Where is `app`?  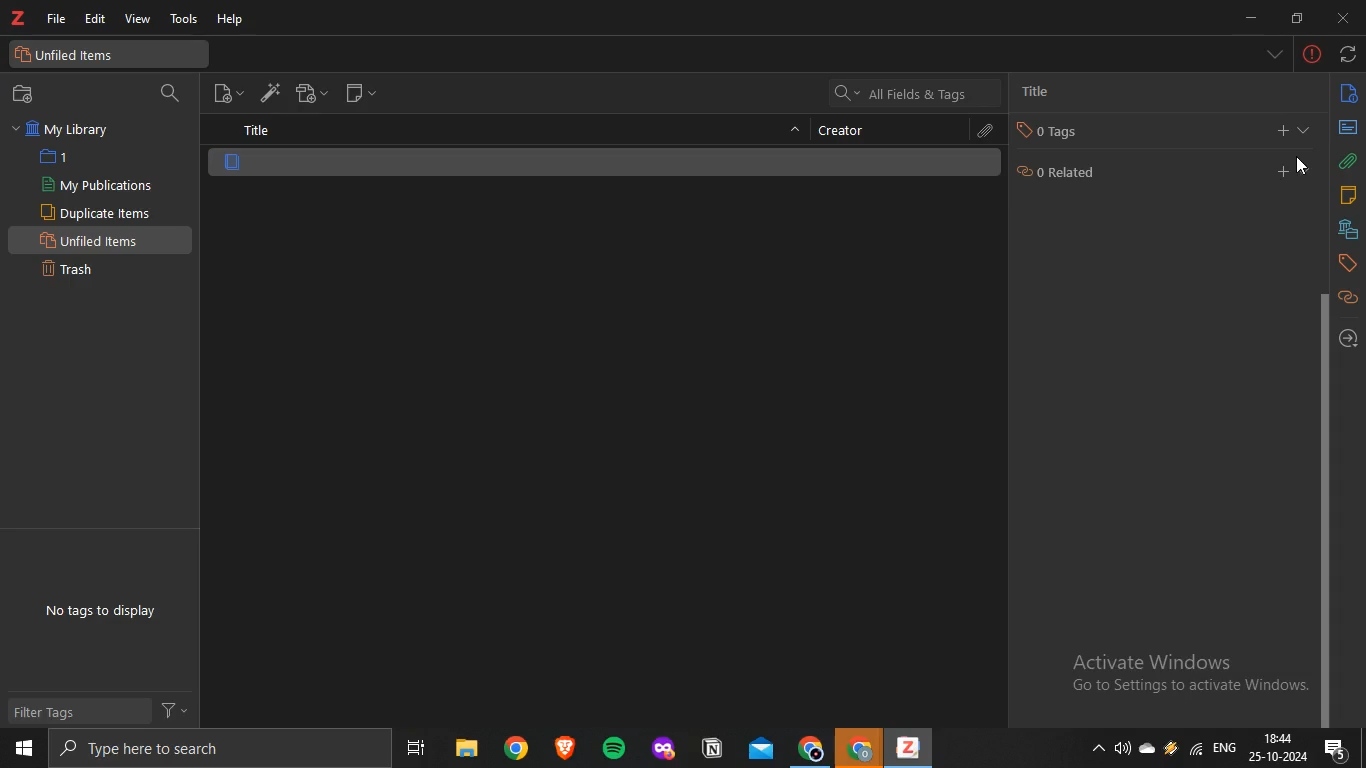 app is located at coordinates (708, 747).